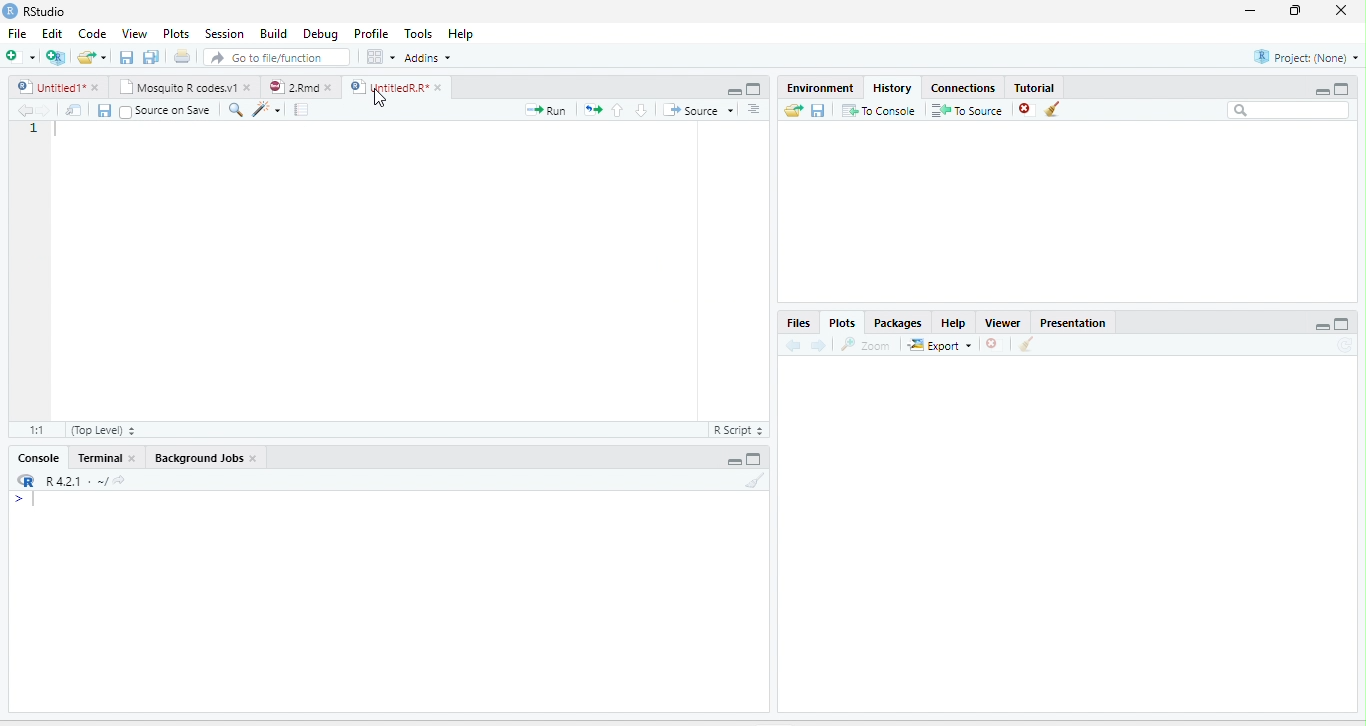 Image resolution: width=1366 pixels, height=726 pixels. Describe the element at coordinates (165, 110) in the screenshot. I see `Source on Save` at that location.